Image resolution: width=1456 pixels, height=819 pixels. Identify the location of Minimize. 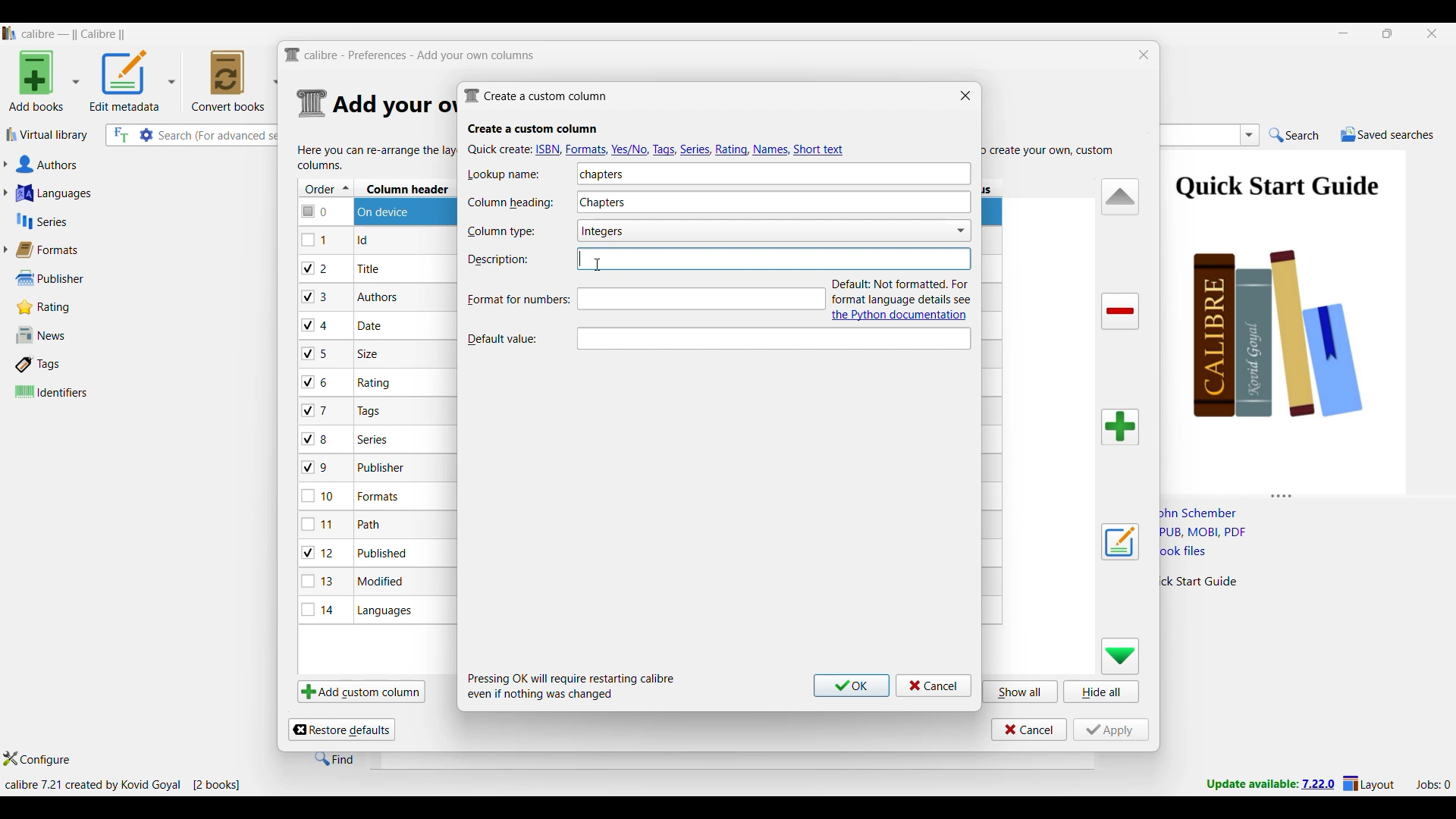
(1344, 33).